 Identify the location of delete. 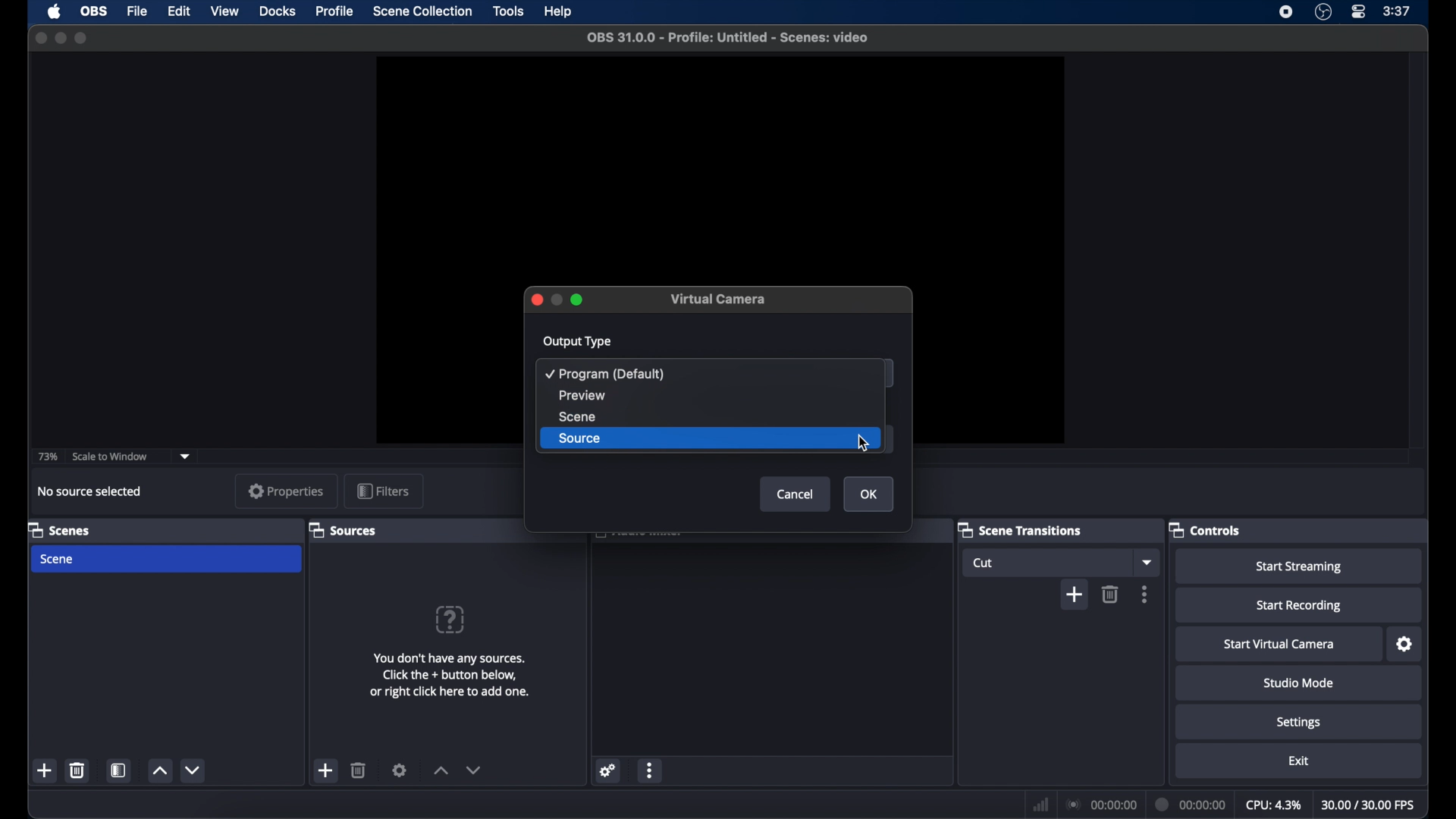
(77, 770).